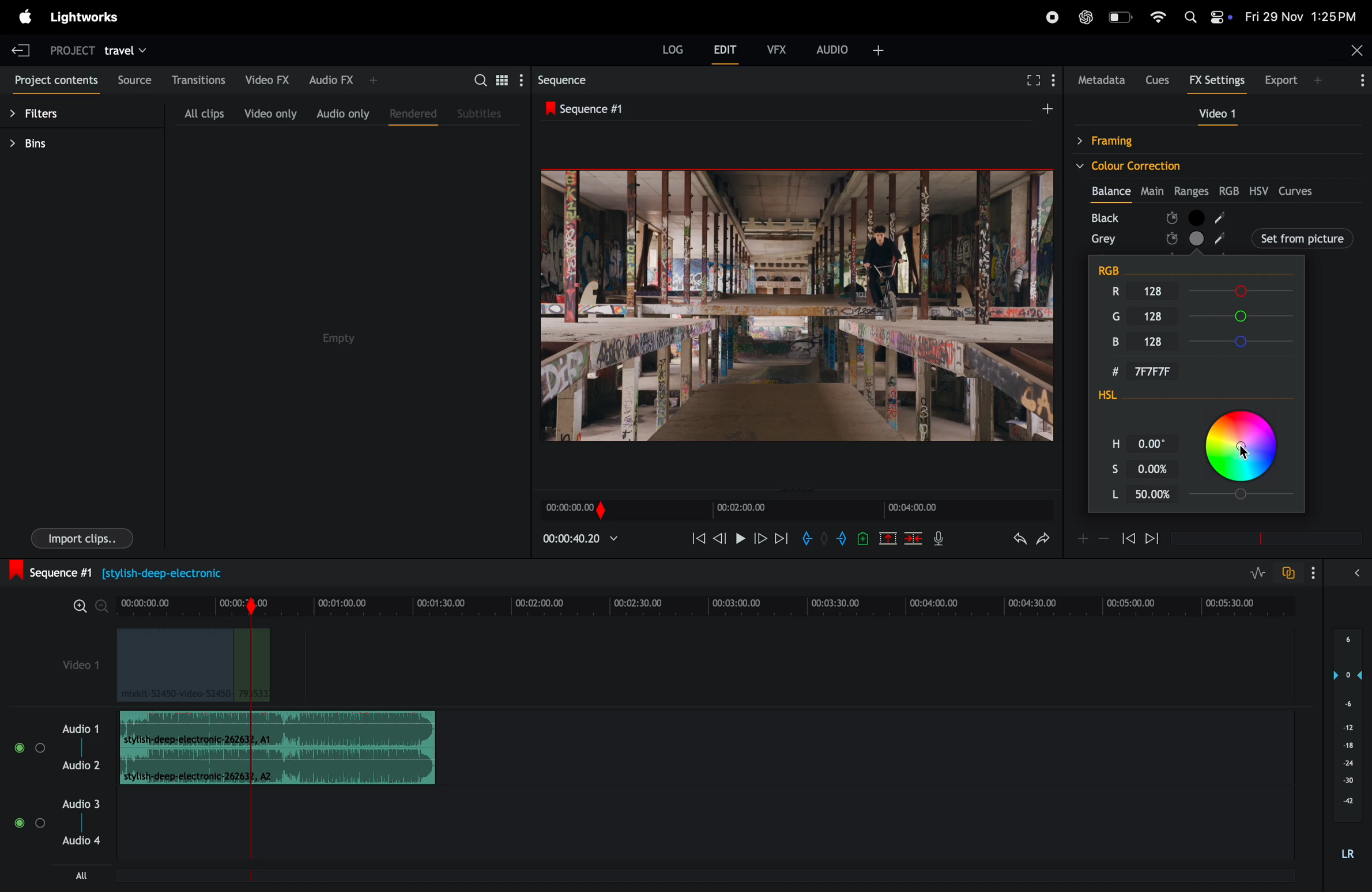  I want to click on export, so click(1296, 80).